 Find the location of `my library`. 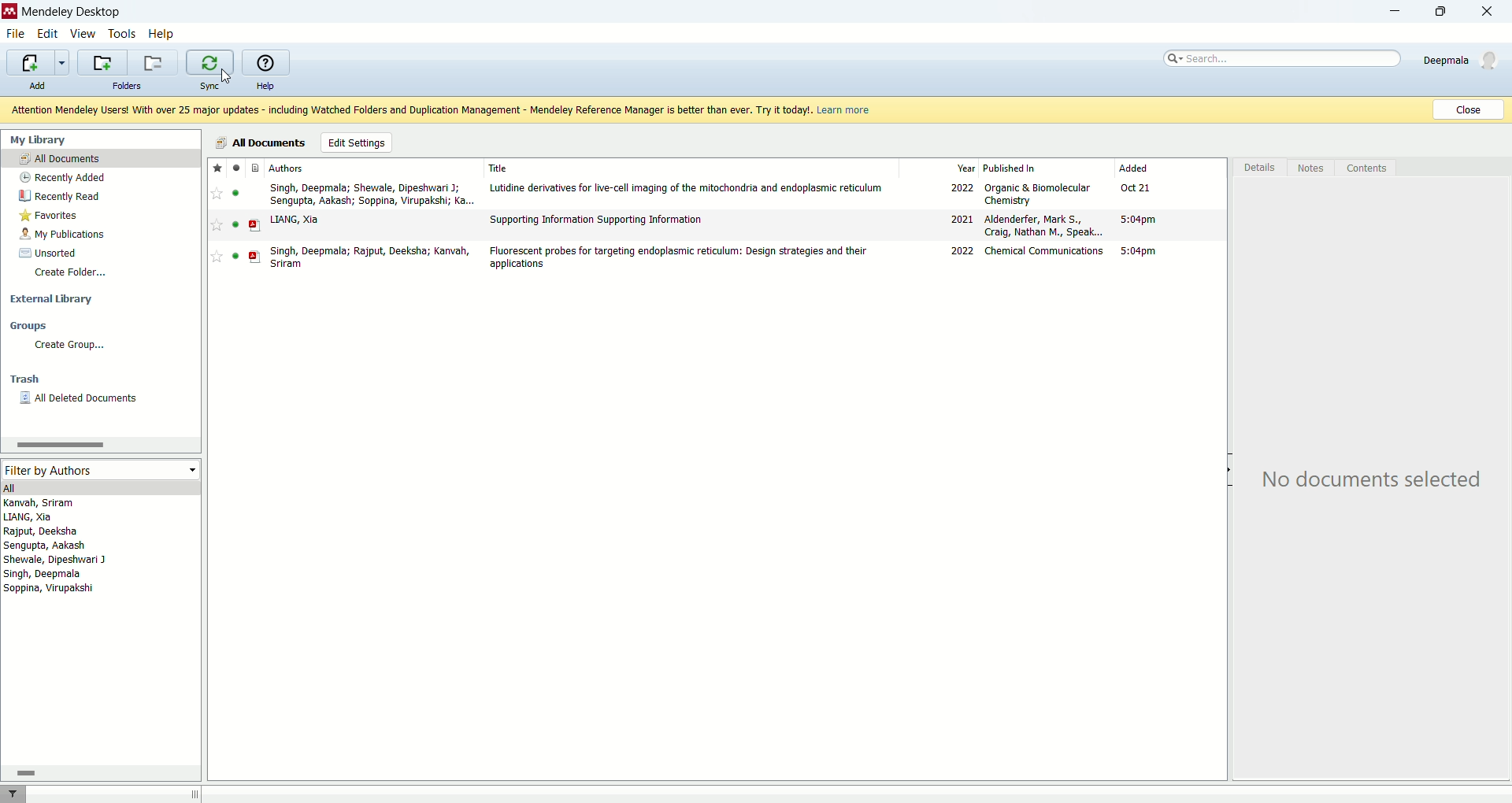

my library is located at coordinates (37, 140).